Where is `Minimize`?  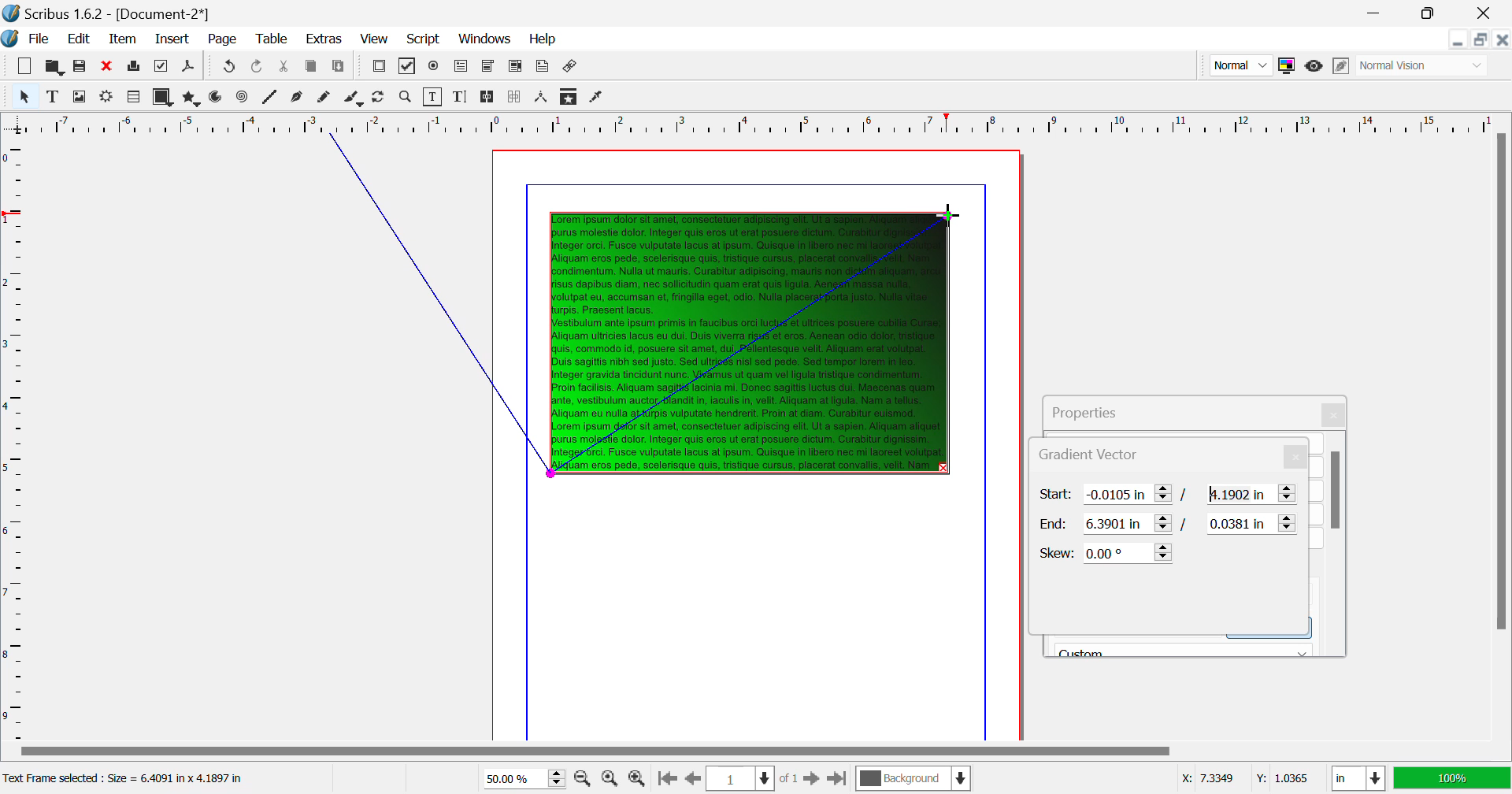
Minimize is located at coordinates (1432, 13).